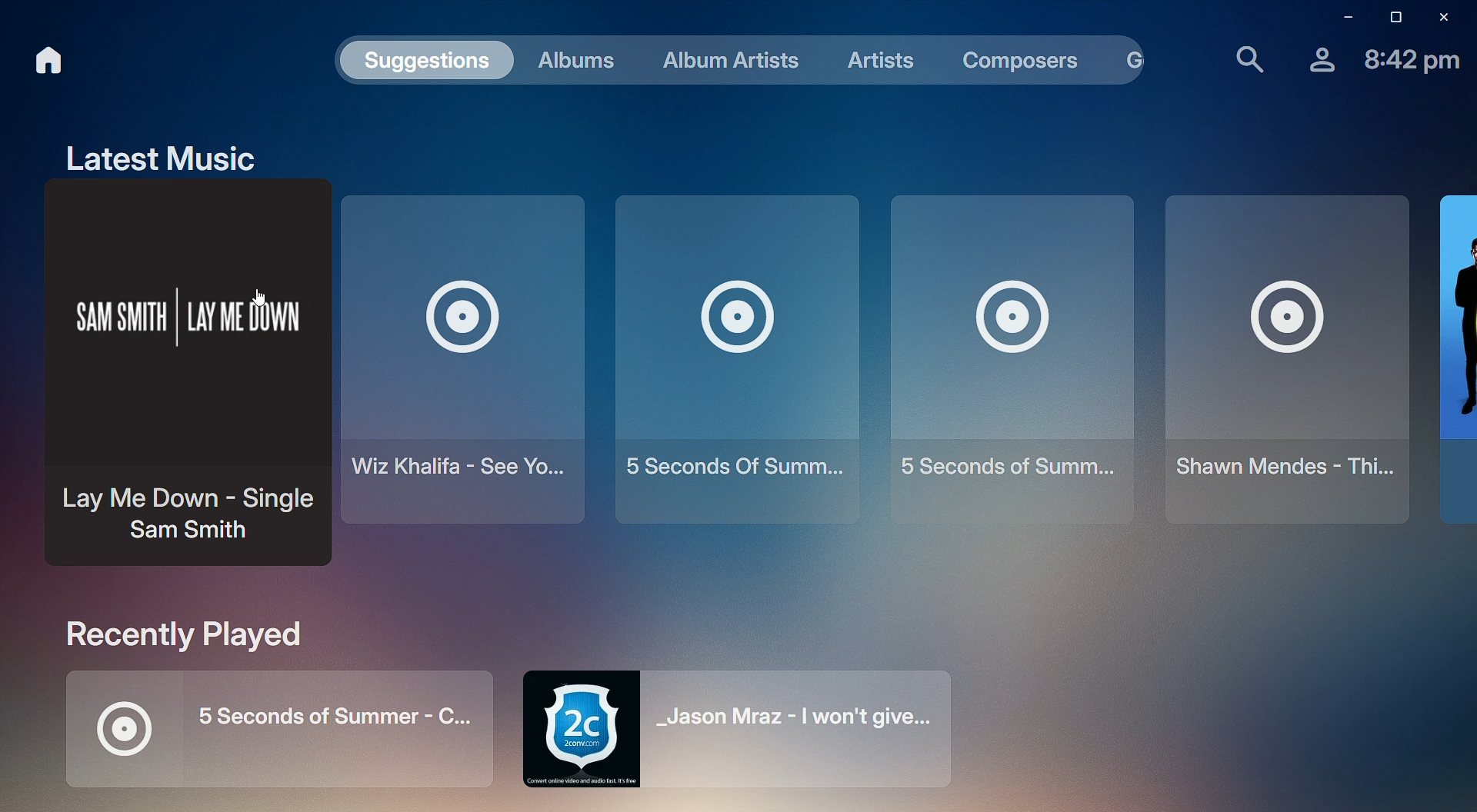 The image size is (1477, 812). What do you see at coordinates (1138, 58) in the screenshot?
I see `G` at bounding box center [1138, 58].